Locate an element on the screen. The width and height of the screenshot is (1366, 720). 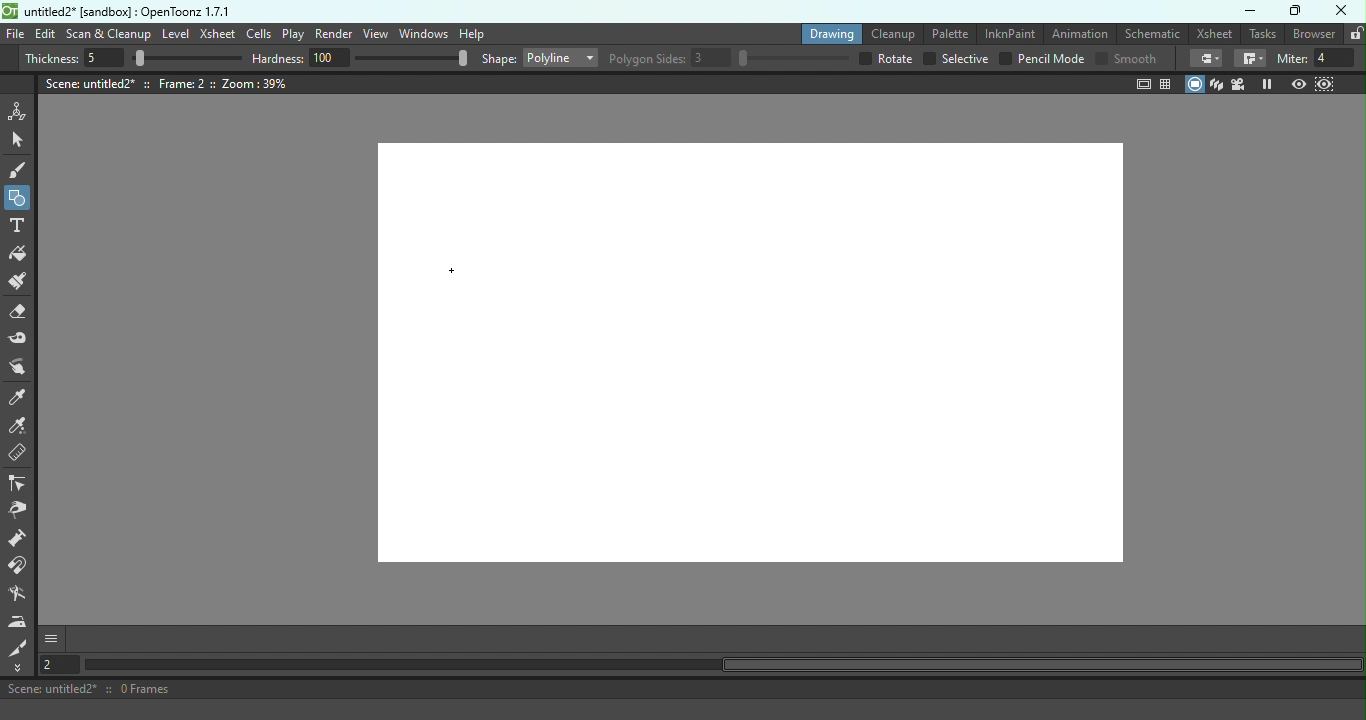
Safe area is located at coordinates (1142, 85).